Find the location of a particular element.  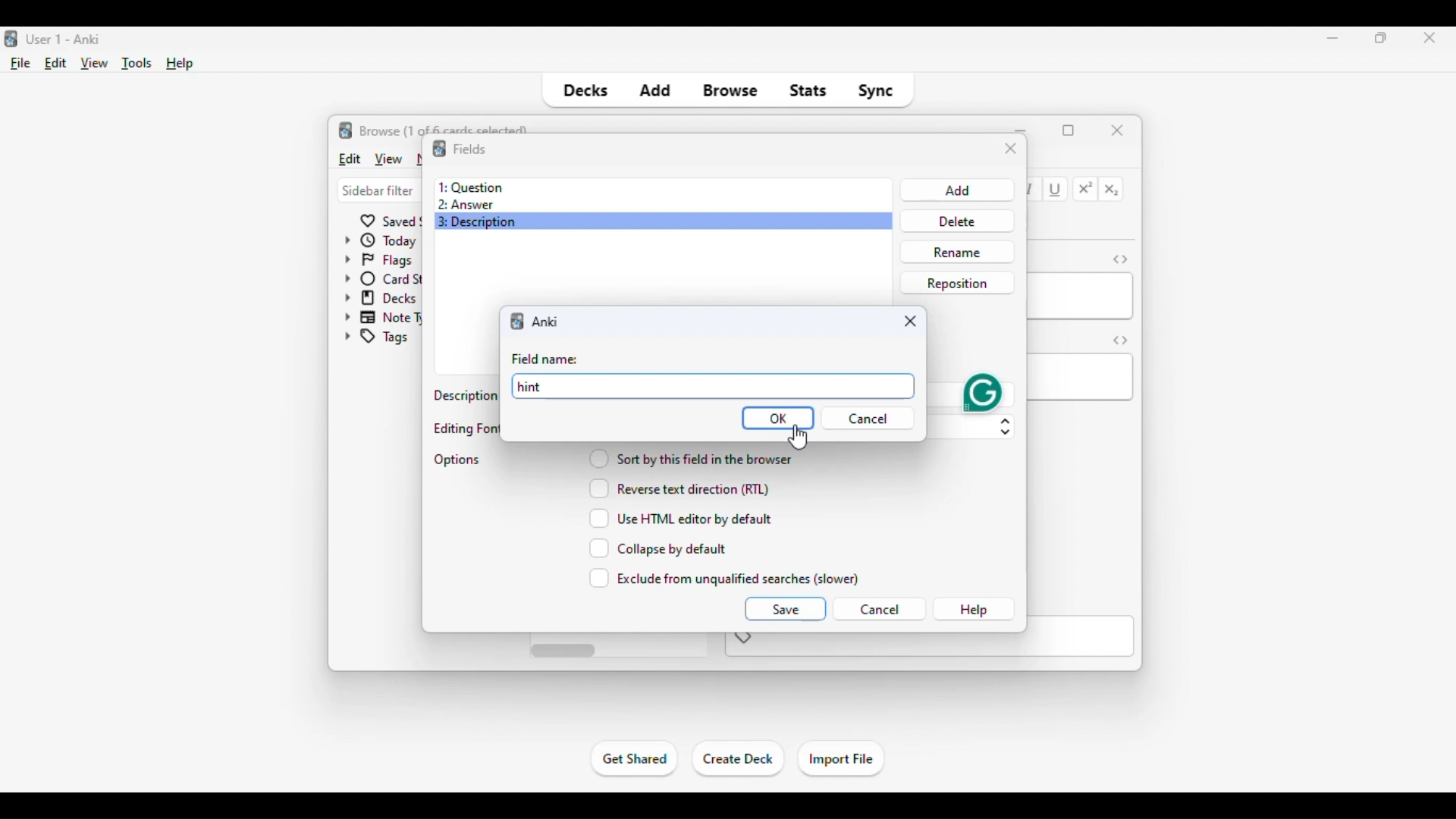

help is located at coordinates (180, 64).